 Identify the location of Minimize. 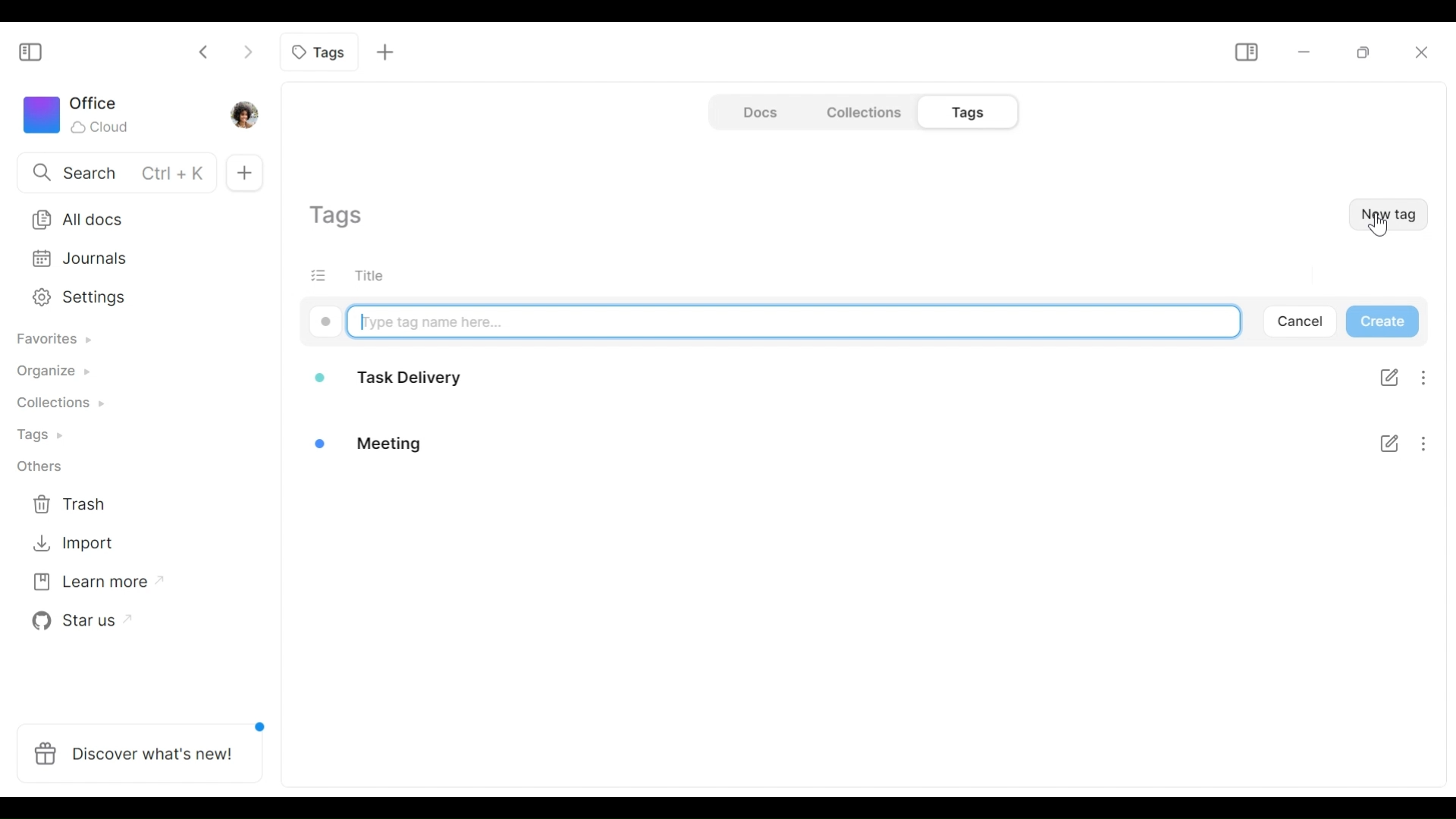
(1304, 53).